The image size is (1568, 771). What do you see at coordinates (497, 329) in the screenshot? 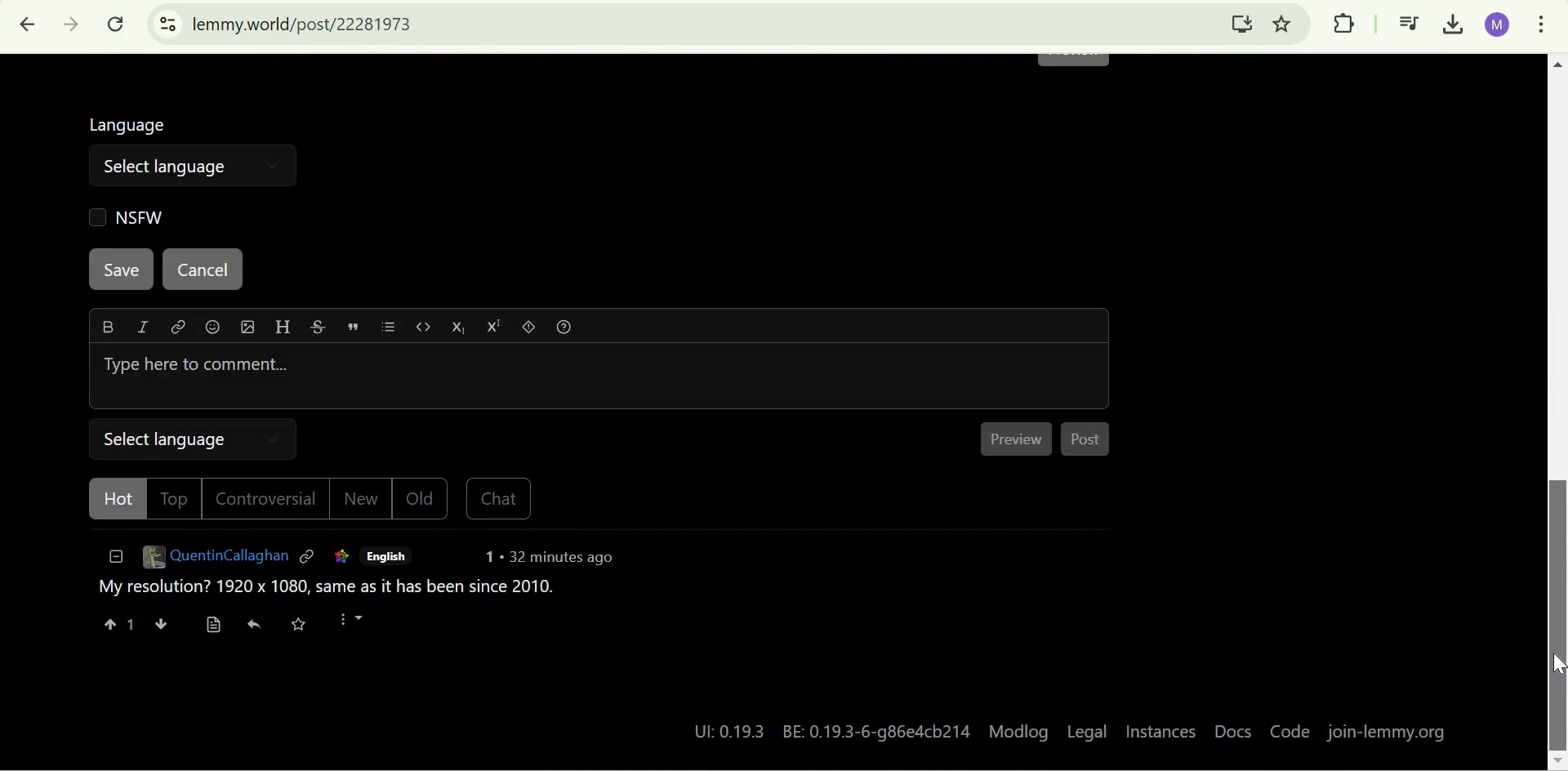
I see `` at bounding box center [497, 329].